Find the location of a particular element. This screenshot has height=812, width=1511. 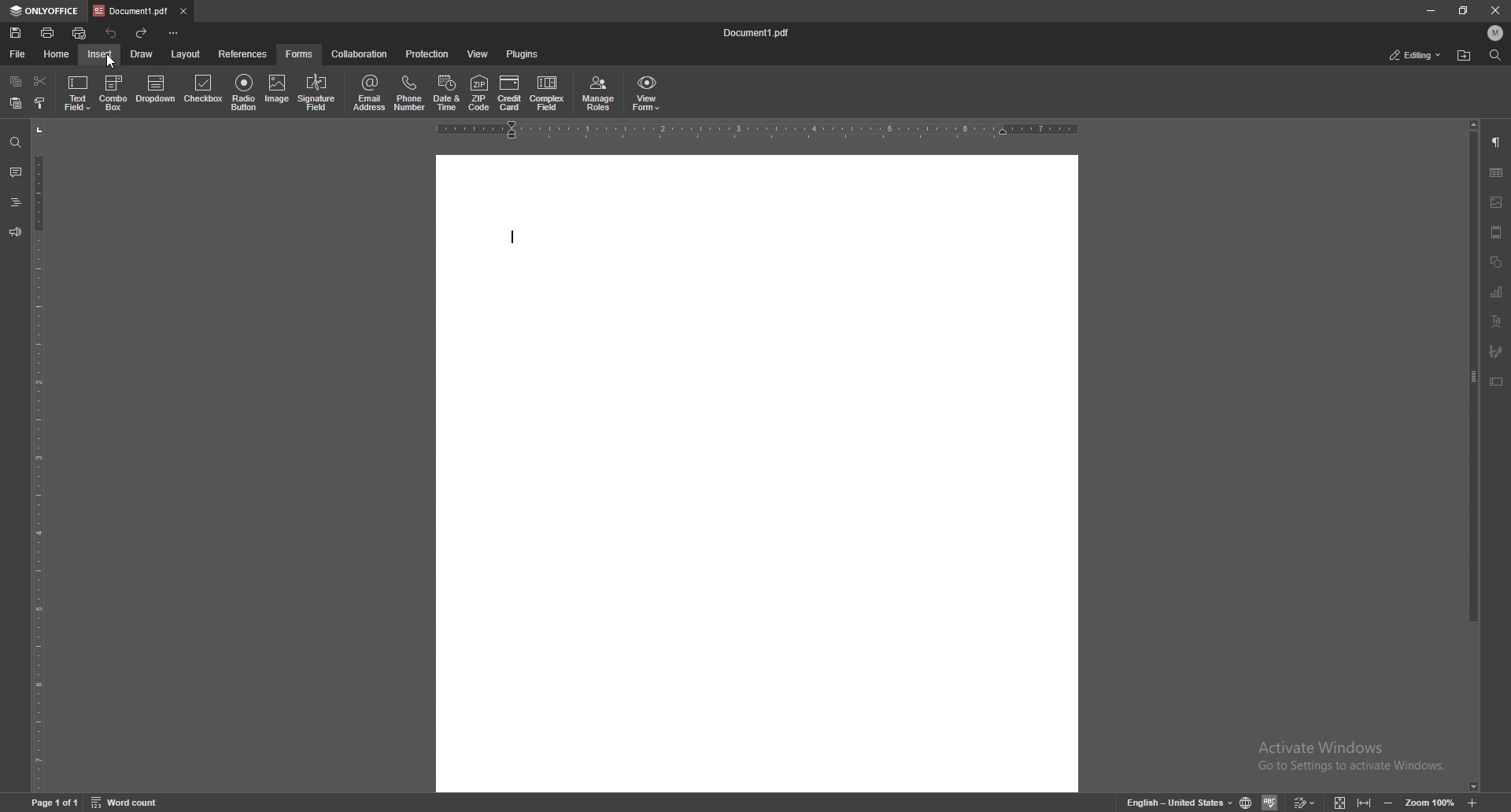

status is located at coordinates (1415, 54).